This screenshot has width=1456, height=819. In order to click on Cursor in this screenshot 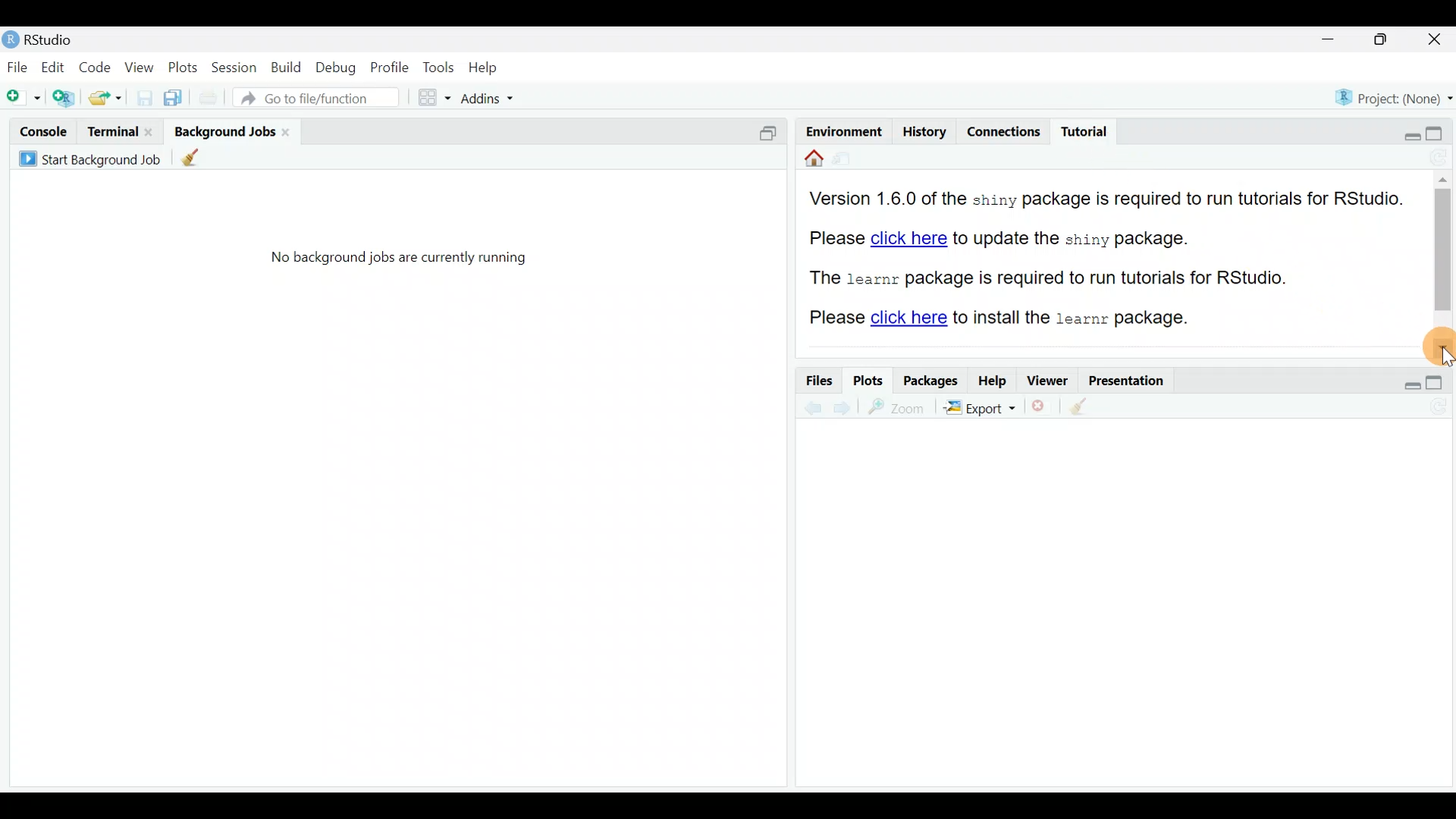, I will do `click(1437, 339)`.